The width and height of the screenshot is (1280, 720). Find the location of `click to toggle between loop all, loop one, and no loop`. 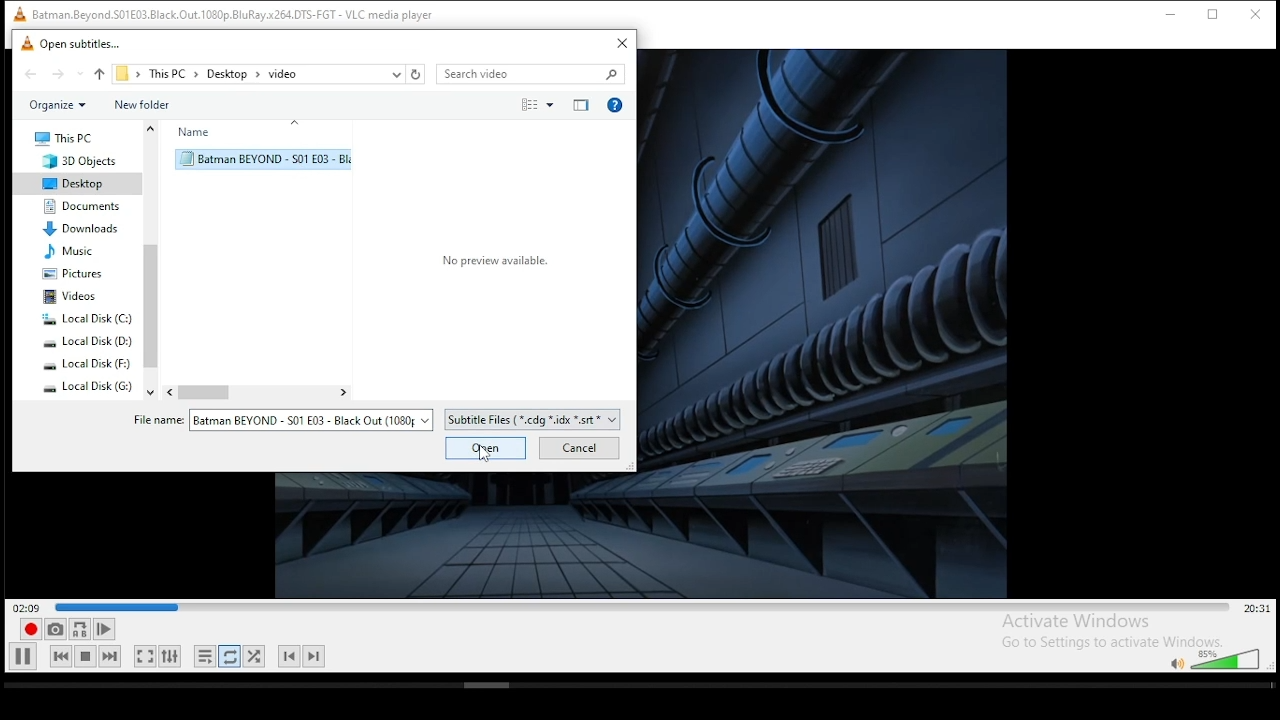

click to toggle between loop all, loop one, and no loop is located at coordinates (229, 656).